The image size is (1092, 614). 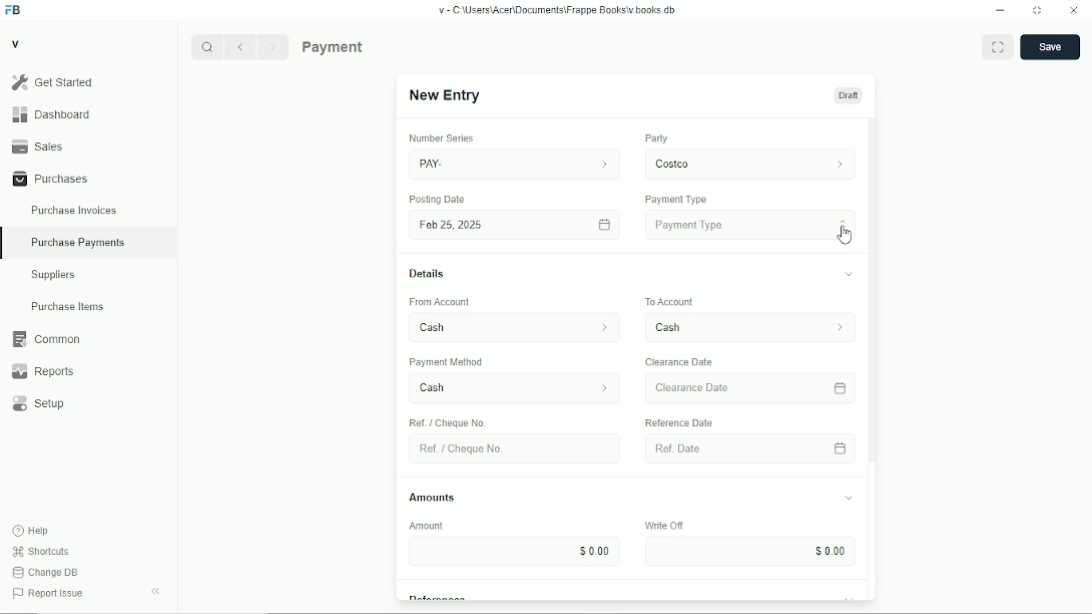 I want to click on Report Issue, so click(x=49, y=593).